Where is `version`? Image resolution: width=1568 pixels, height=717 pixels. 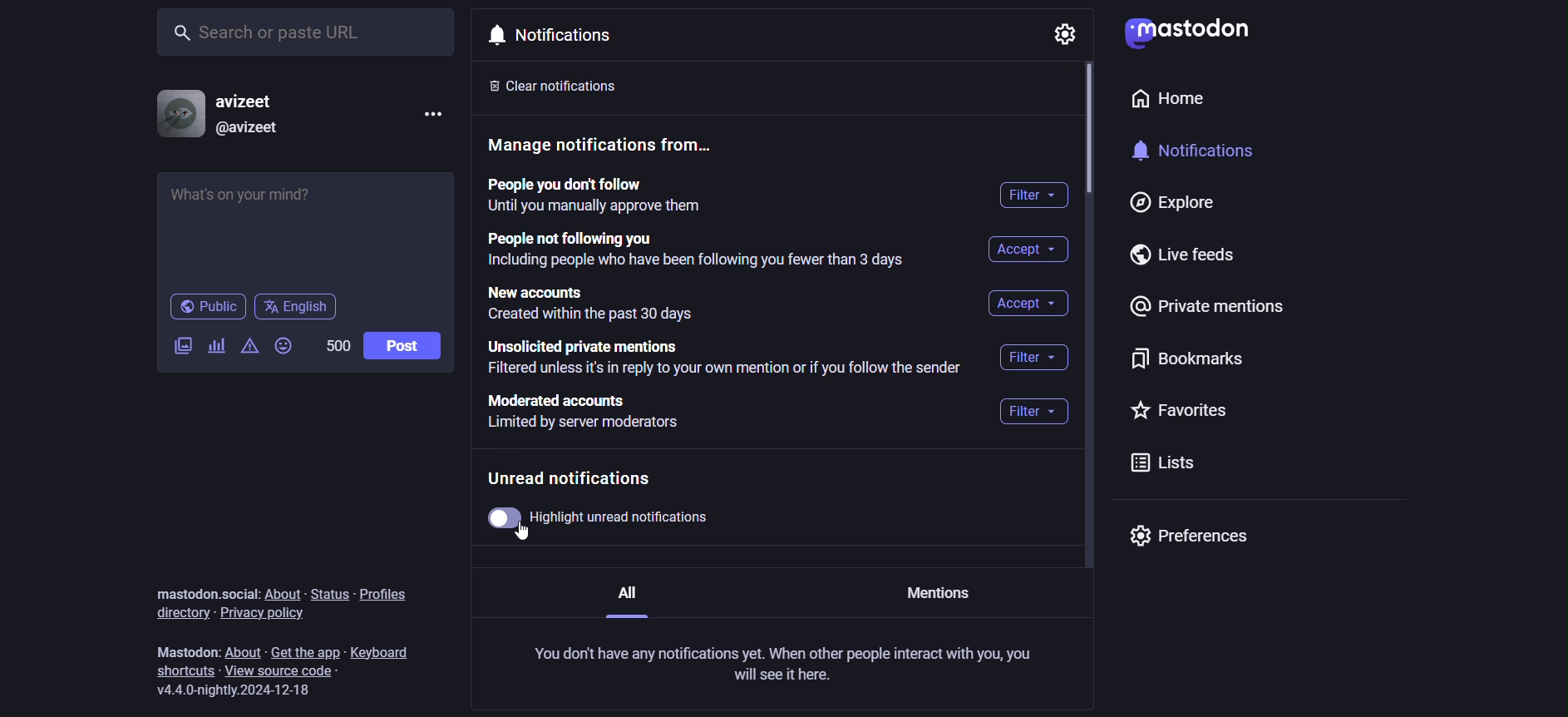
version is located at coordinates (235, 690).